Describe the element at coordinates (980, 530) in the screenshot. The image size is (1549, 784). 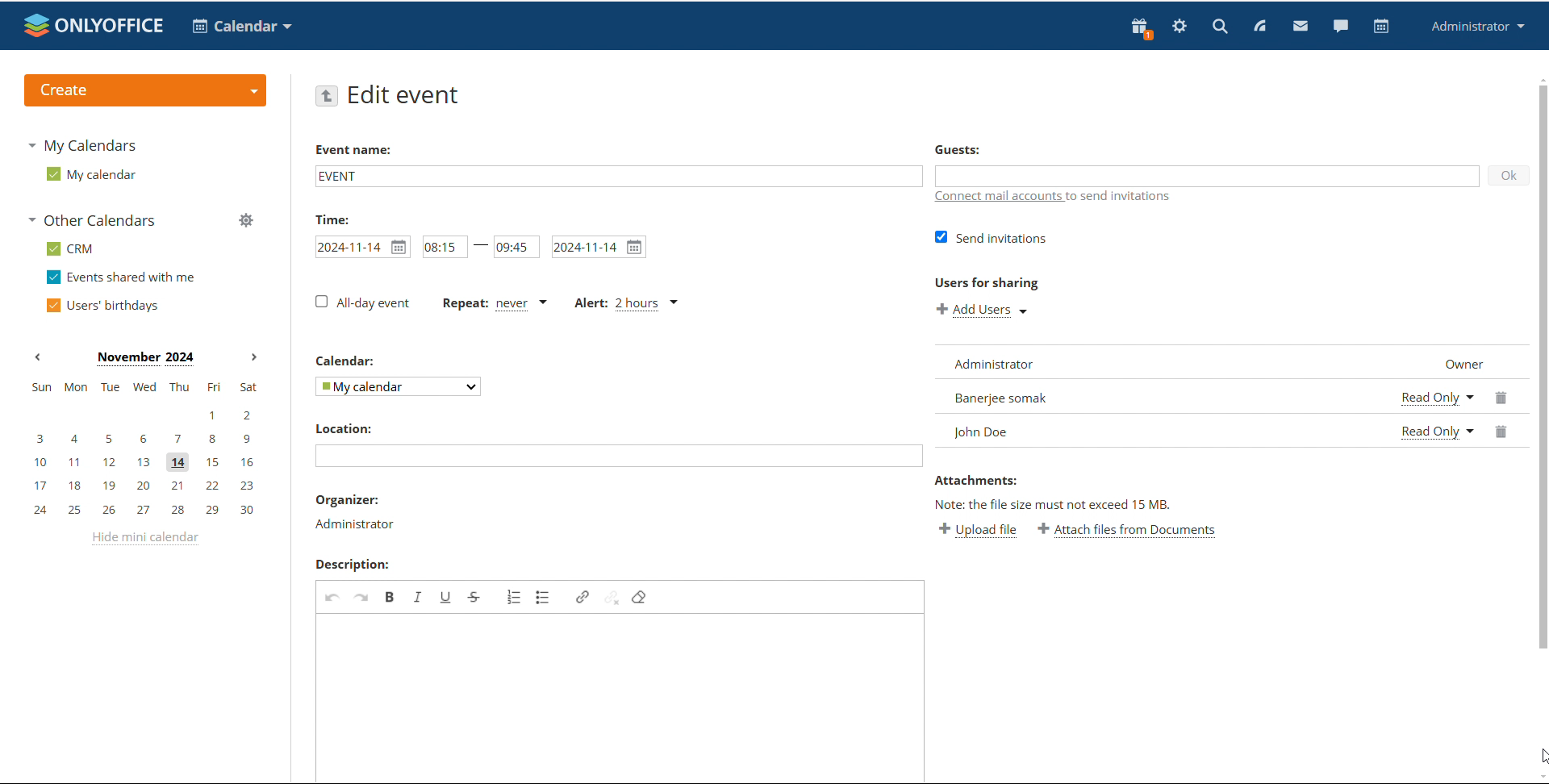
I see `upload file` at that location.